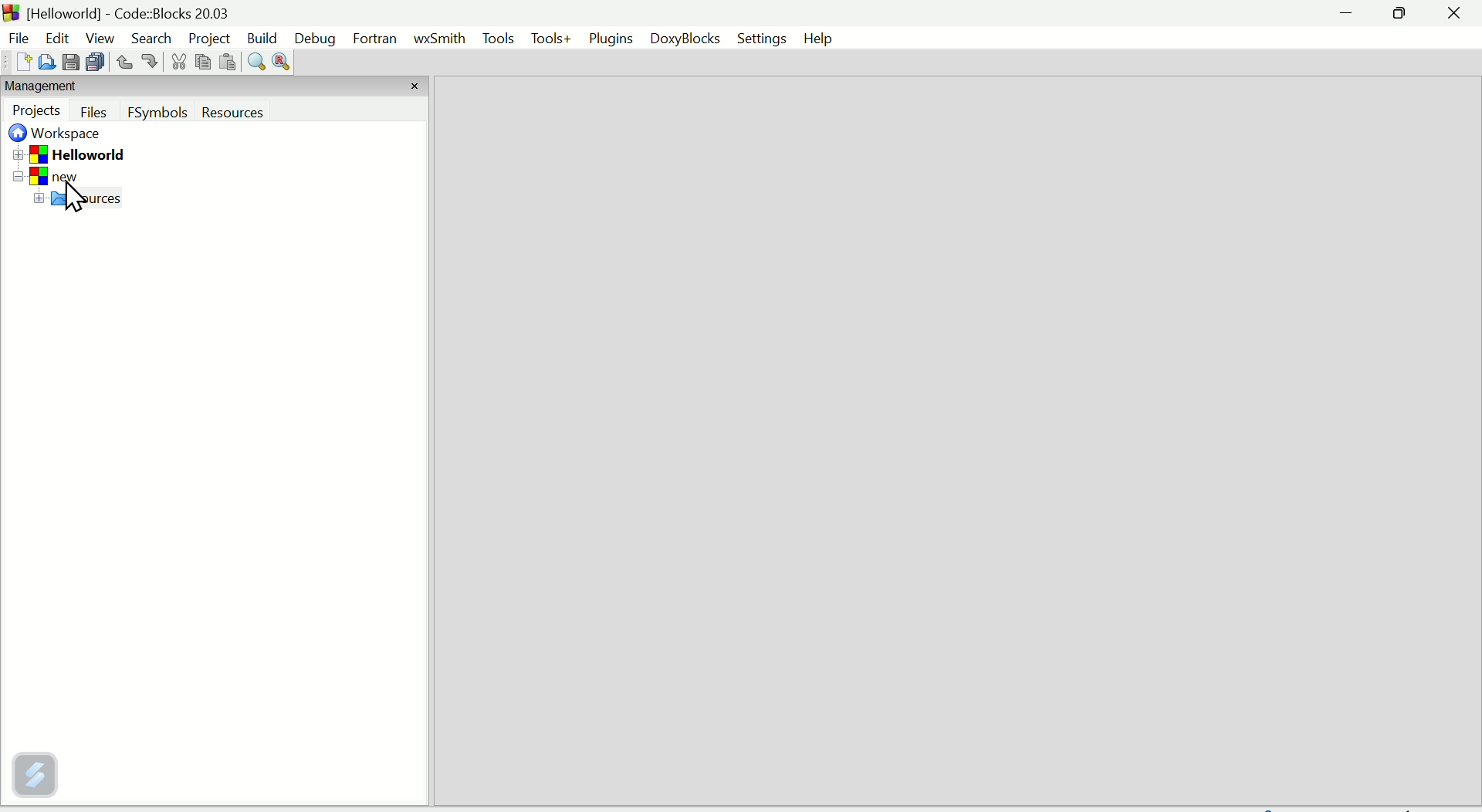 The image size is (1482, 812). Describe the element at coordinates (255, 64) in the screenshot. I see `Find` at that location.